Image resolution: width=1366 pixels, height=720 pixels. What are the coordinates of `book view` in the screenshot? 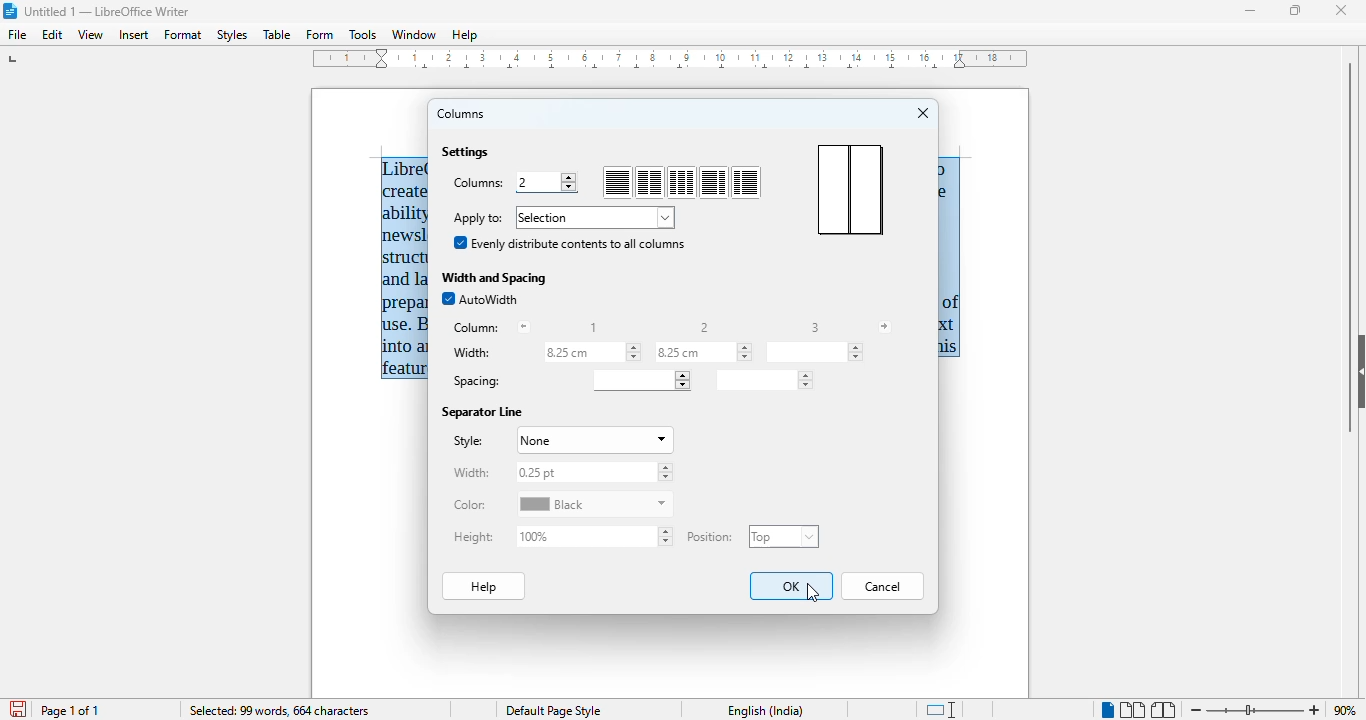 It's located at (1165, 710).